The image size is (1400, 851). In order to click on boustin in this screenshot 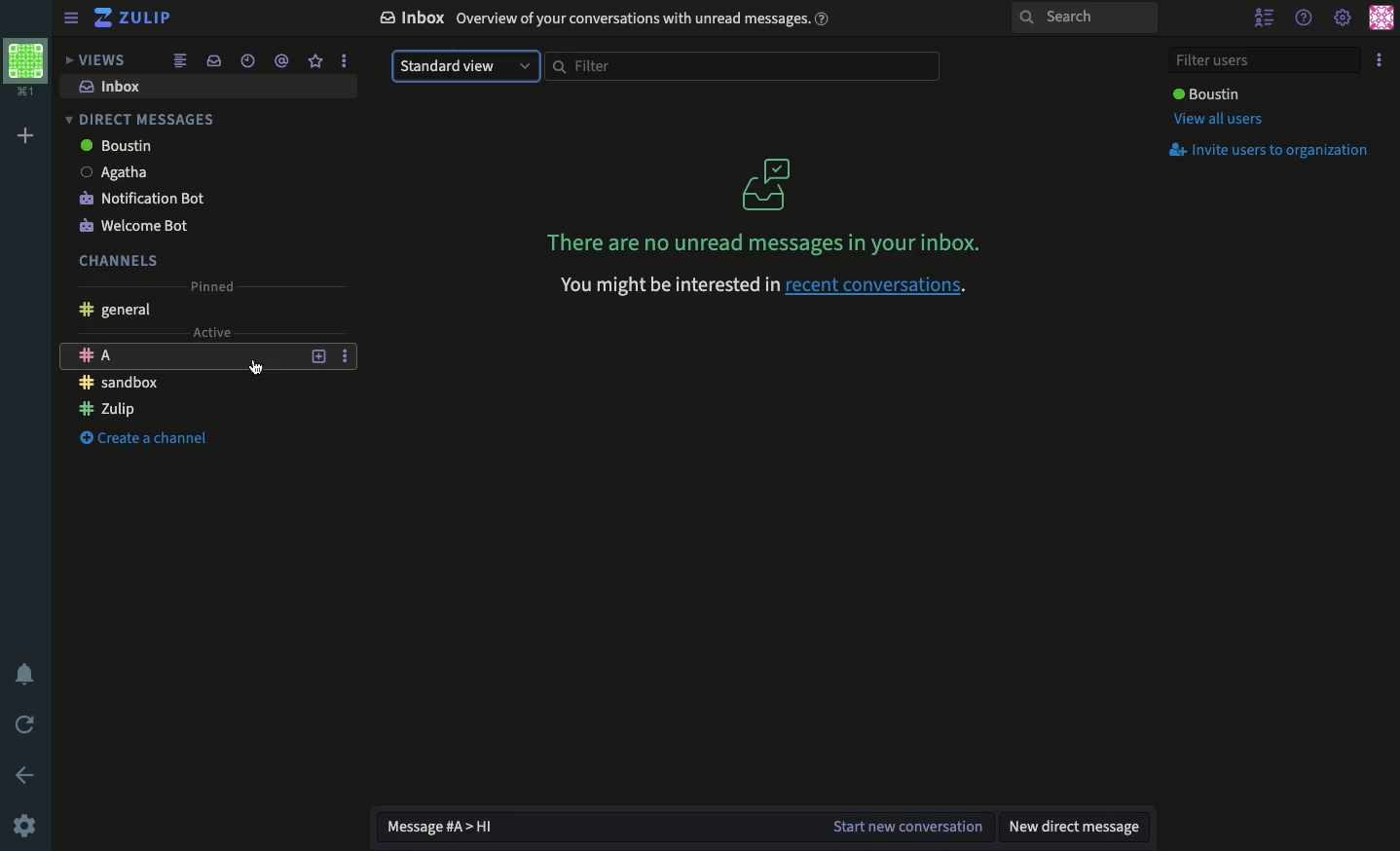, I will do `click(206, 147)`.